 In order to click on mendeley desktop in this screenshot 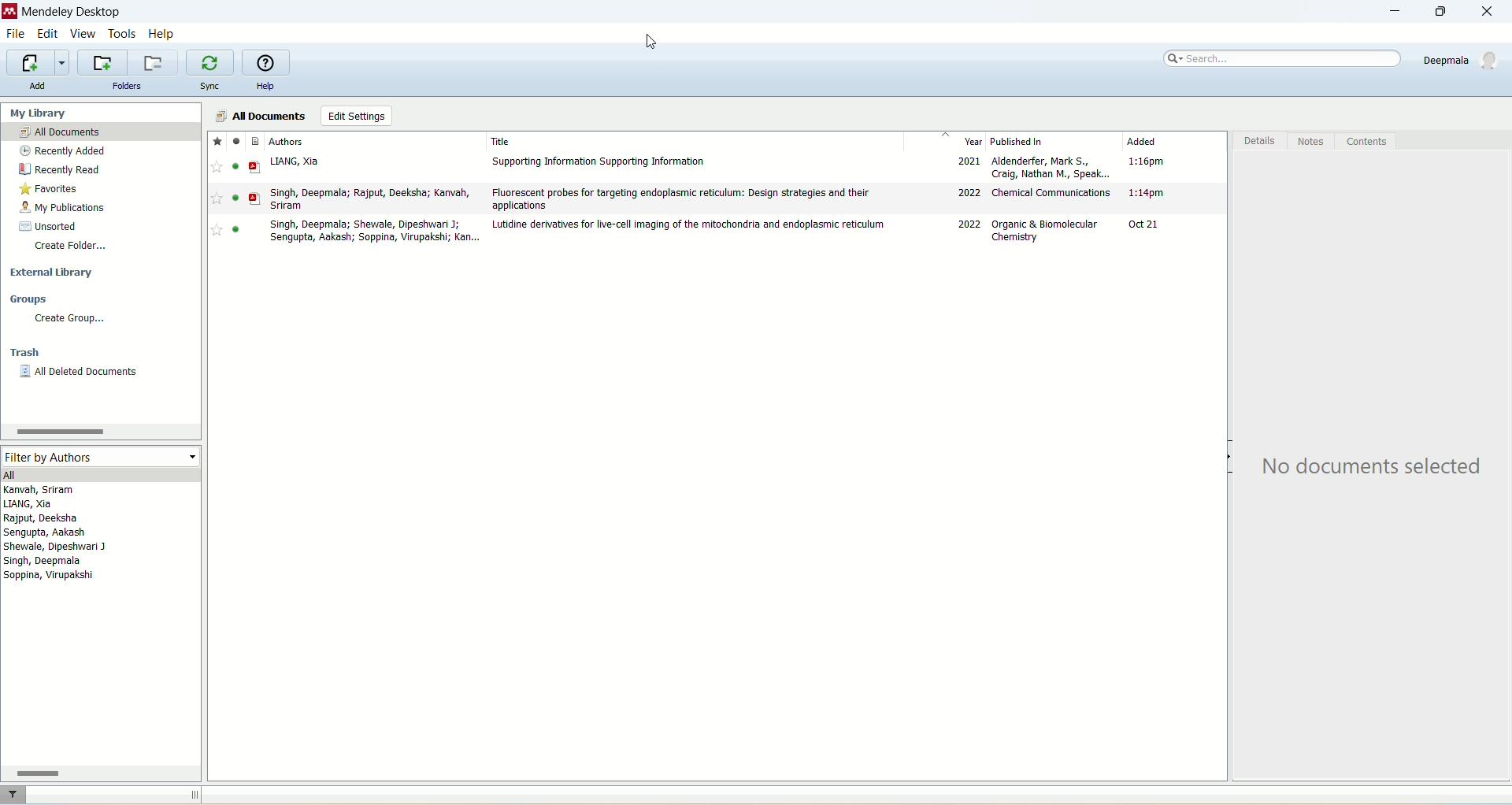, I will do `click(72, 13)`.